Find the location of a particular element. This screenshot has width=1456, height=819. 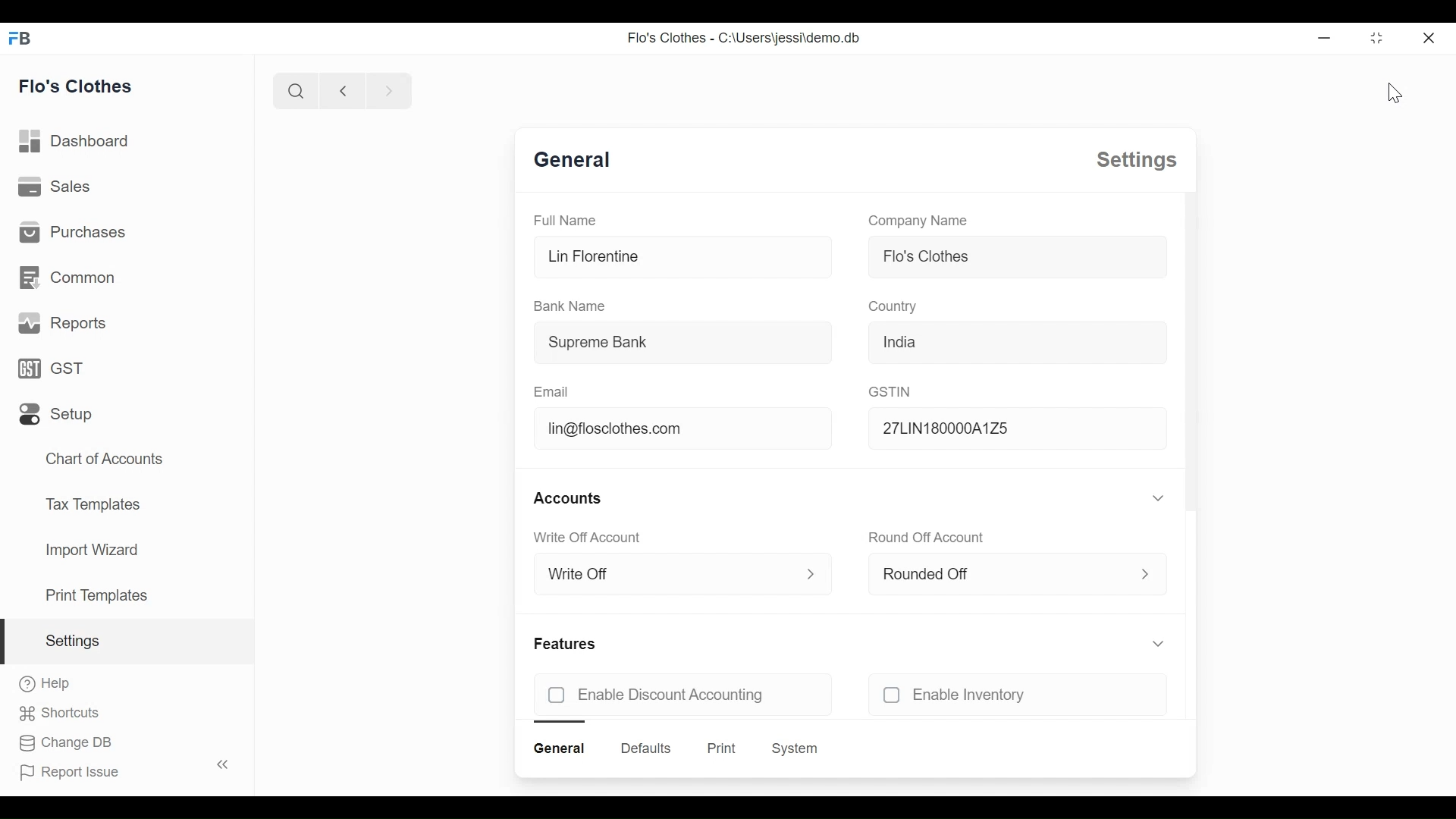

Flo's Clothes is located at coordinates (922, 256).